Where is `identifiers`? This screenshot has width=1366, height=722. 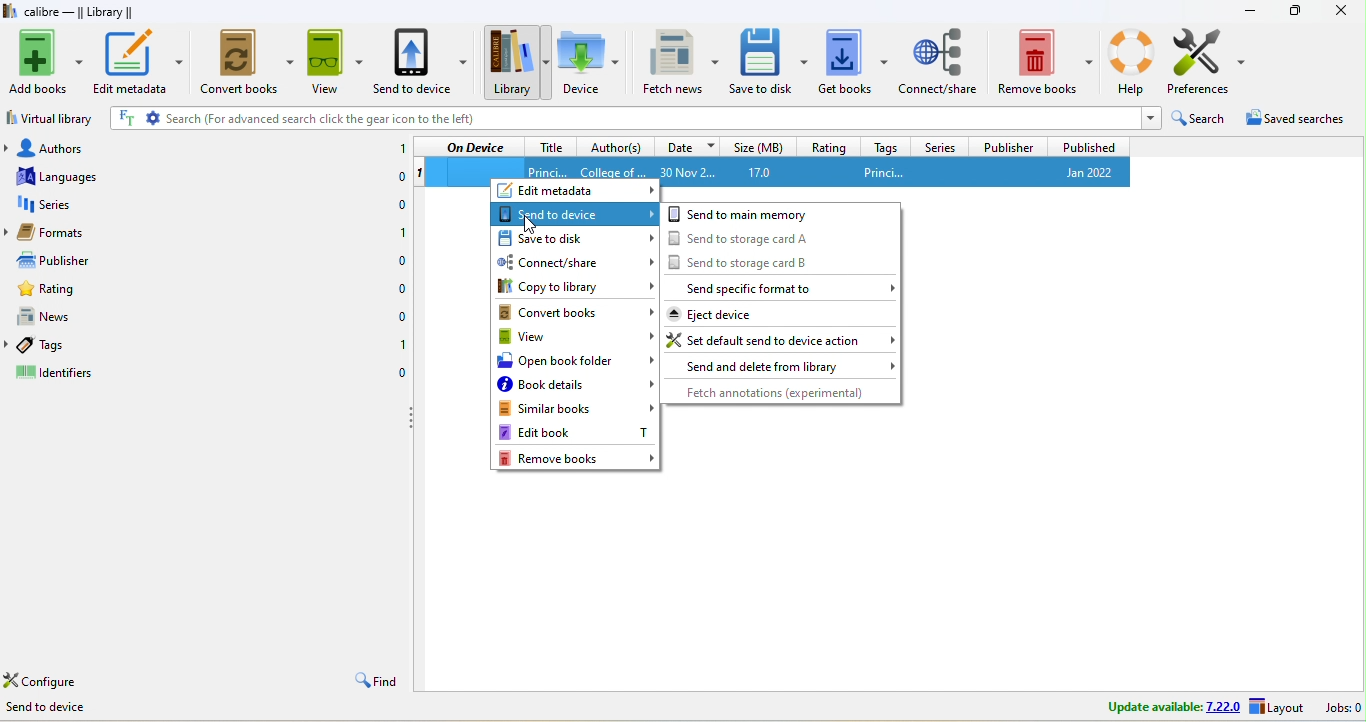 identifiers is located at coordinates (69, 372).